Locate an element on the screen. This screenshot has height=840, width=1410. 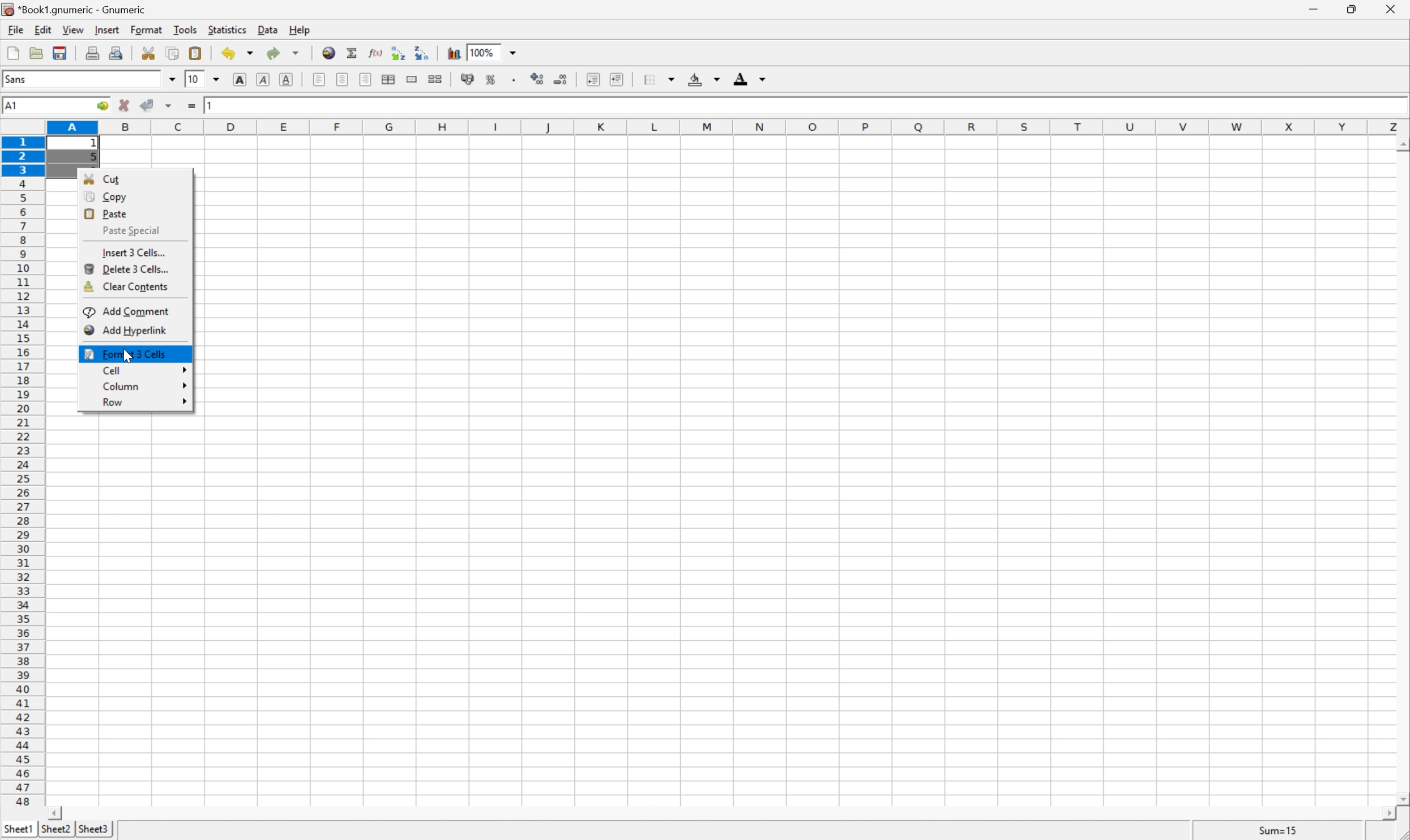
scroll left is located at coordinates (54, 814).